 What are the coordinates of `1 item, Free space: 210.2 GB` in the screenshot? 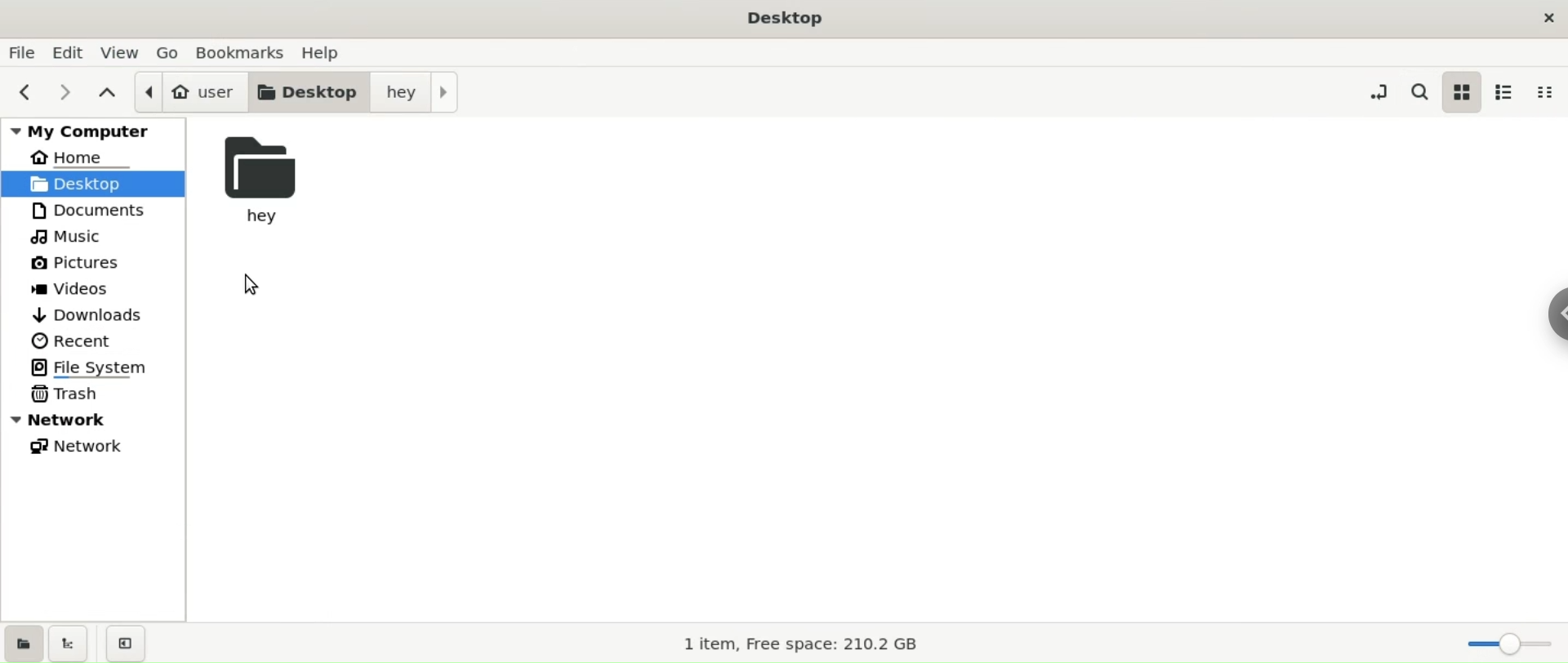 It's located at (807, 645).